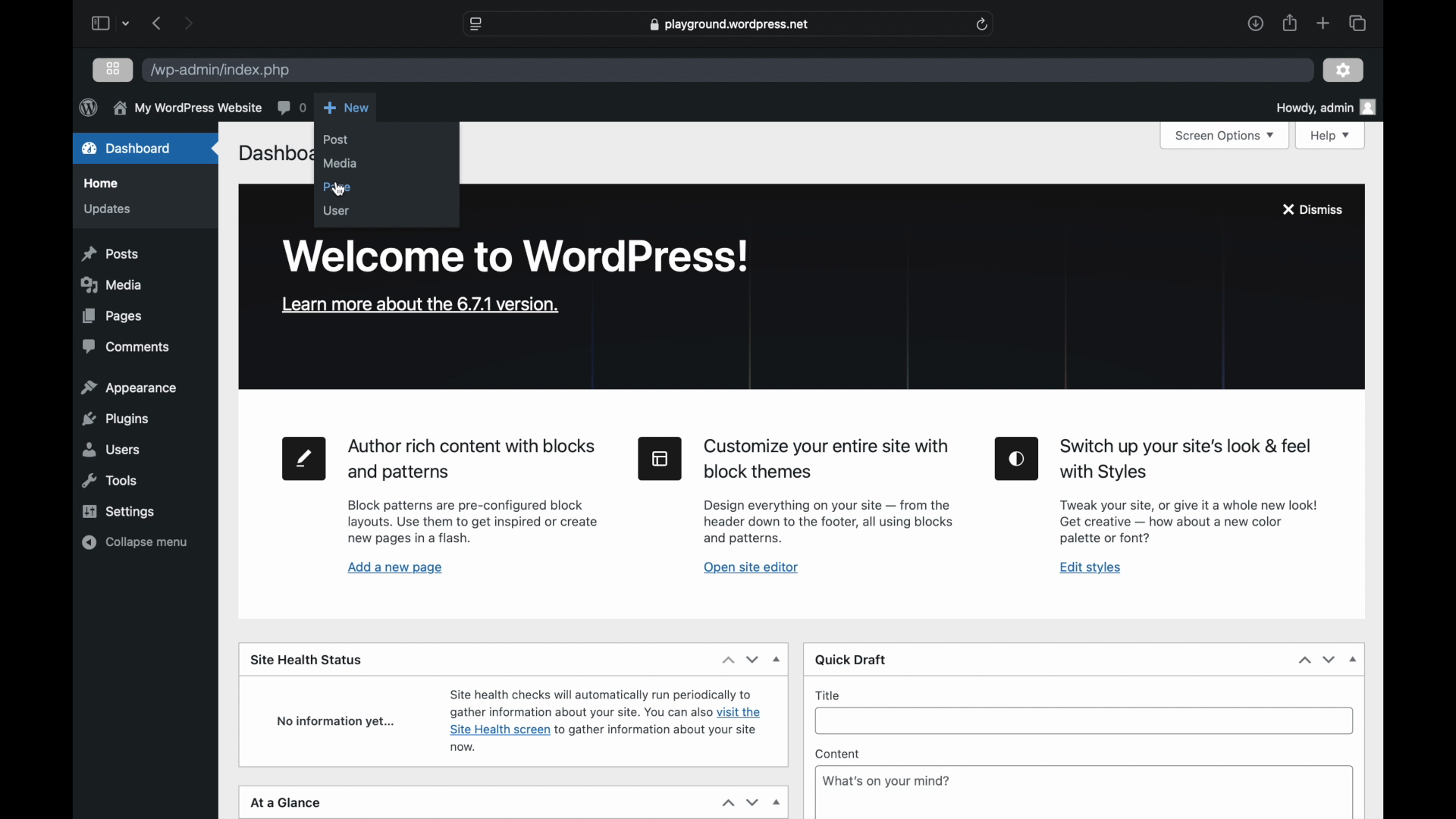 This screenshot has width=1456, height=819. What do you see at coordinates (338, 188) in the screenshot?
I see `page` at bounding box center [338, 188].